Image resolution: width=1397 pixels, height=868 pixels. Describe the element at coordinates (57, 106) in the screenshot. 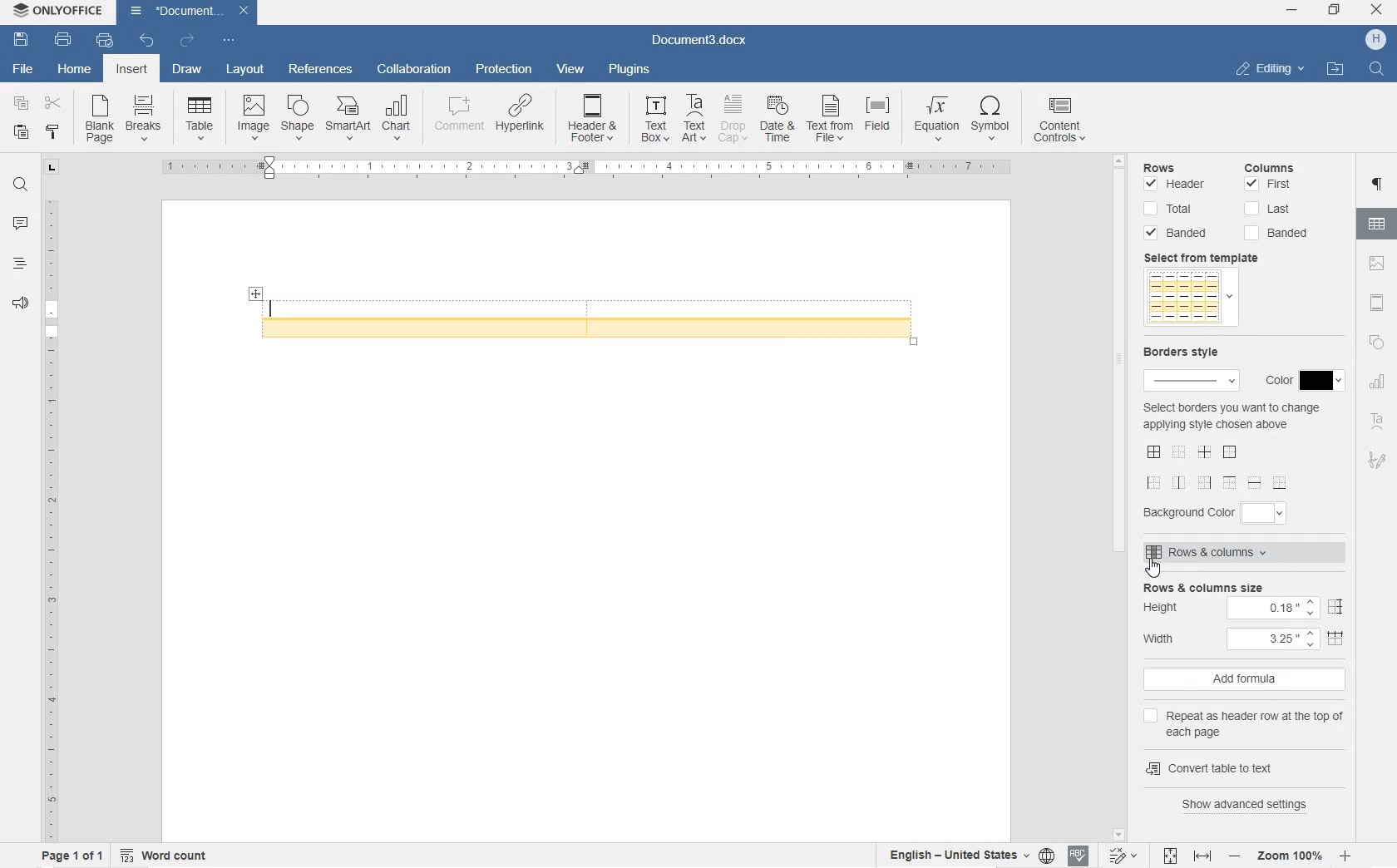

I see `CUT` at that location.